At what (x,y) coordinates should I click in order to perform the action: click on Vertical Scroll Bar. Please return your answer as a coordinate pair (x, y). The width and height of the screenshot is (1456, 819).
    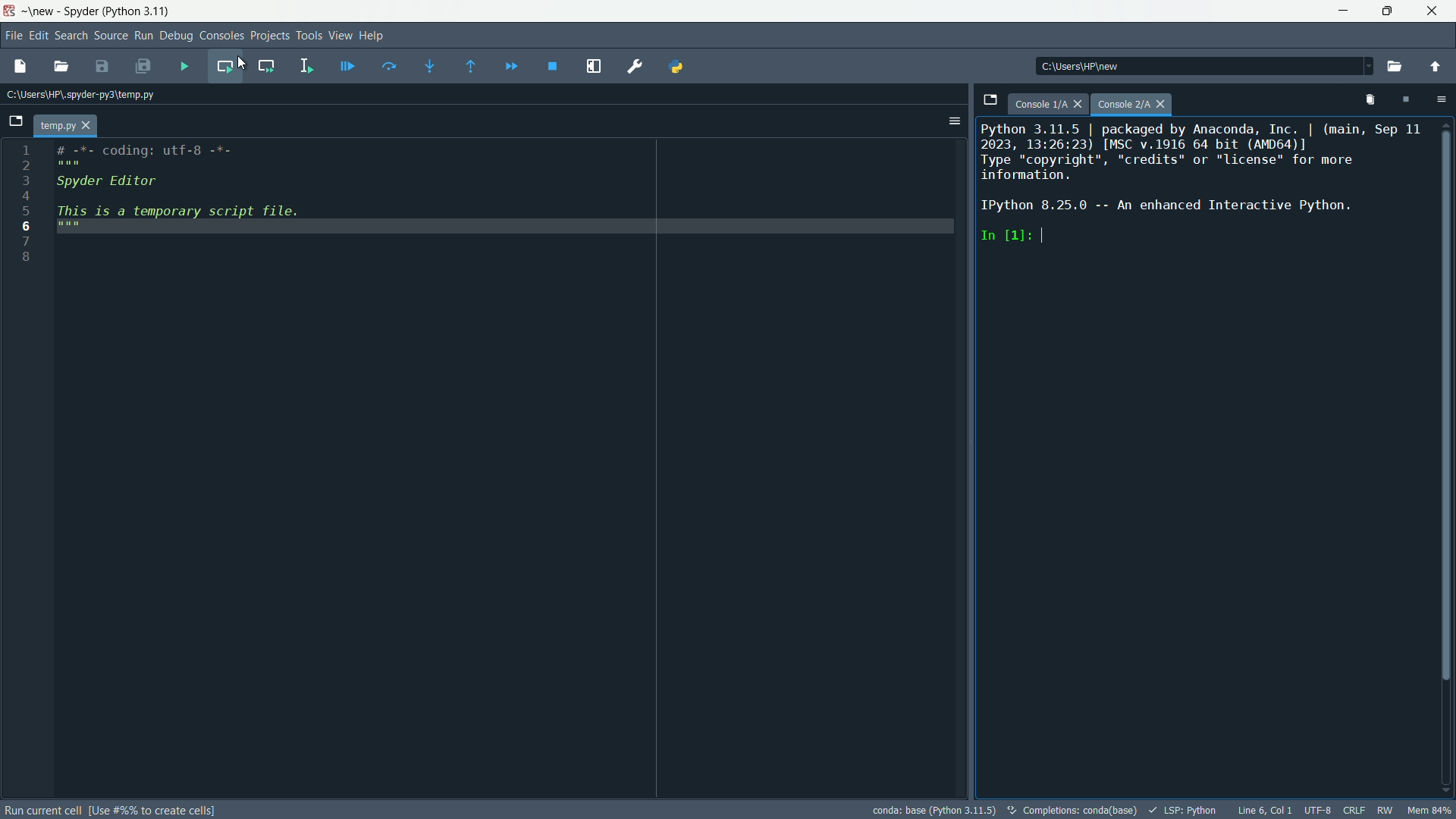
    Looking at the image, I should click on (1447, 404).